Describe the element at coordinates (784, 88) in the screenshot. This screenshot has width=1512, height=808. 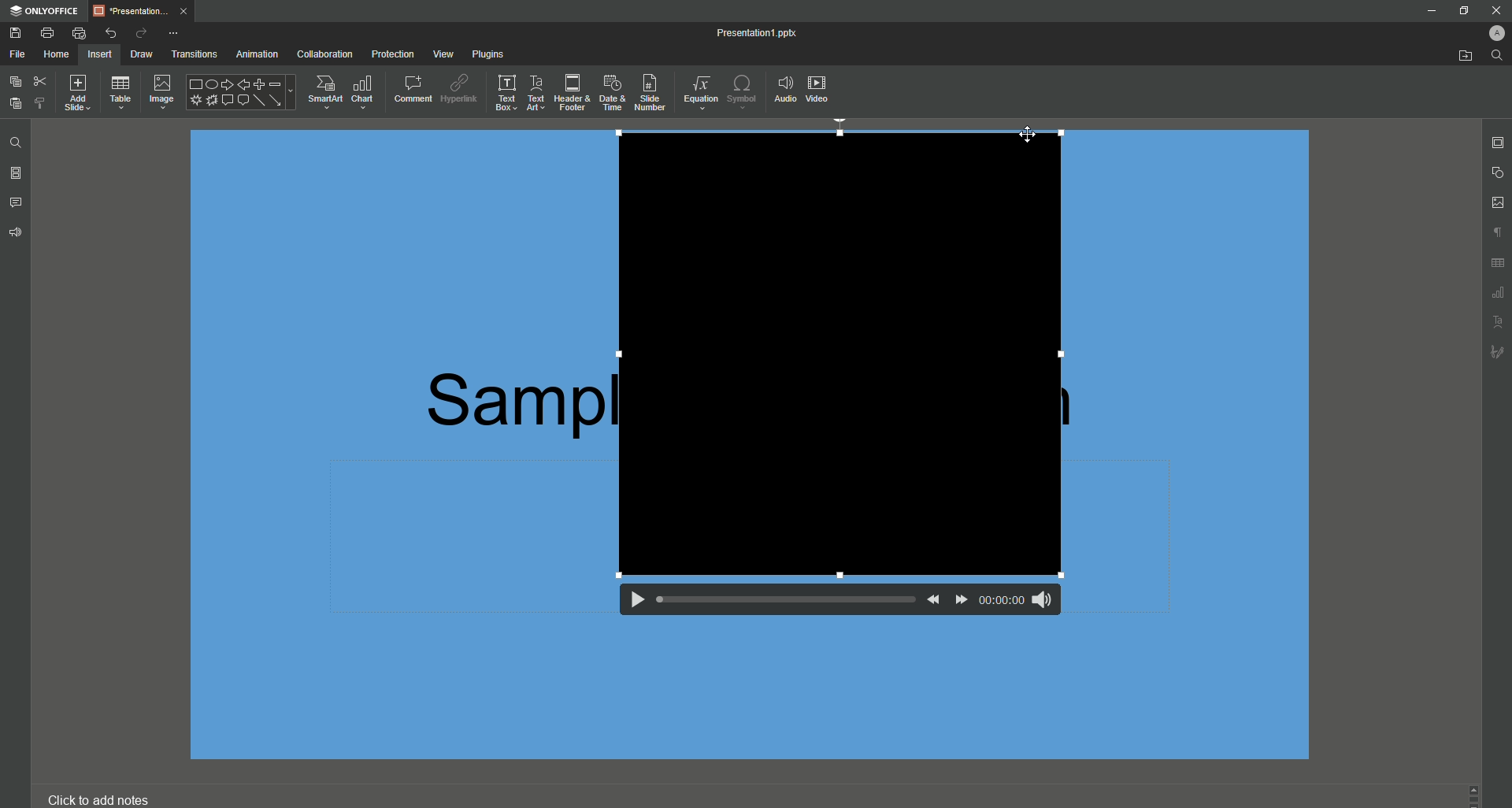
I see `Audio` at that location.